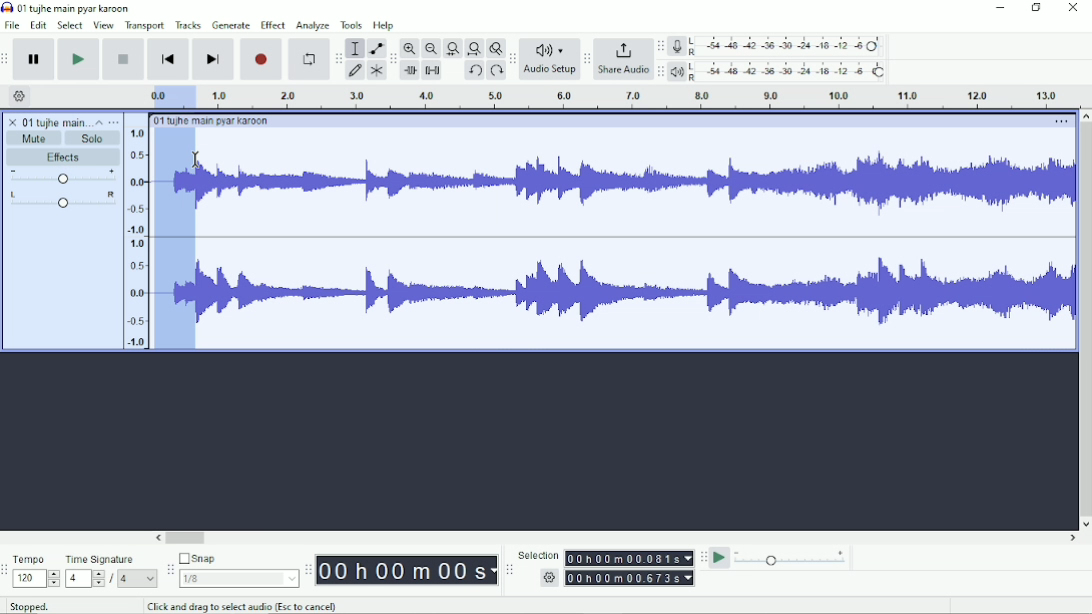  I want to click on Audio Setup, so click(550, 72).